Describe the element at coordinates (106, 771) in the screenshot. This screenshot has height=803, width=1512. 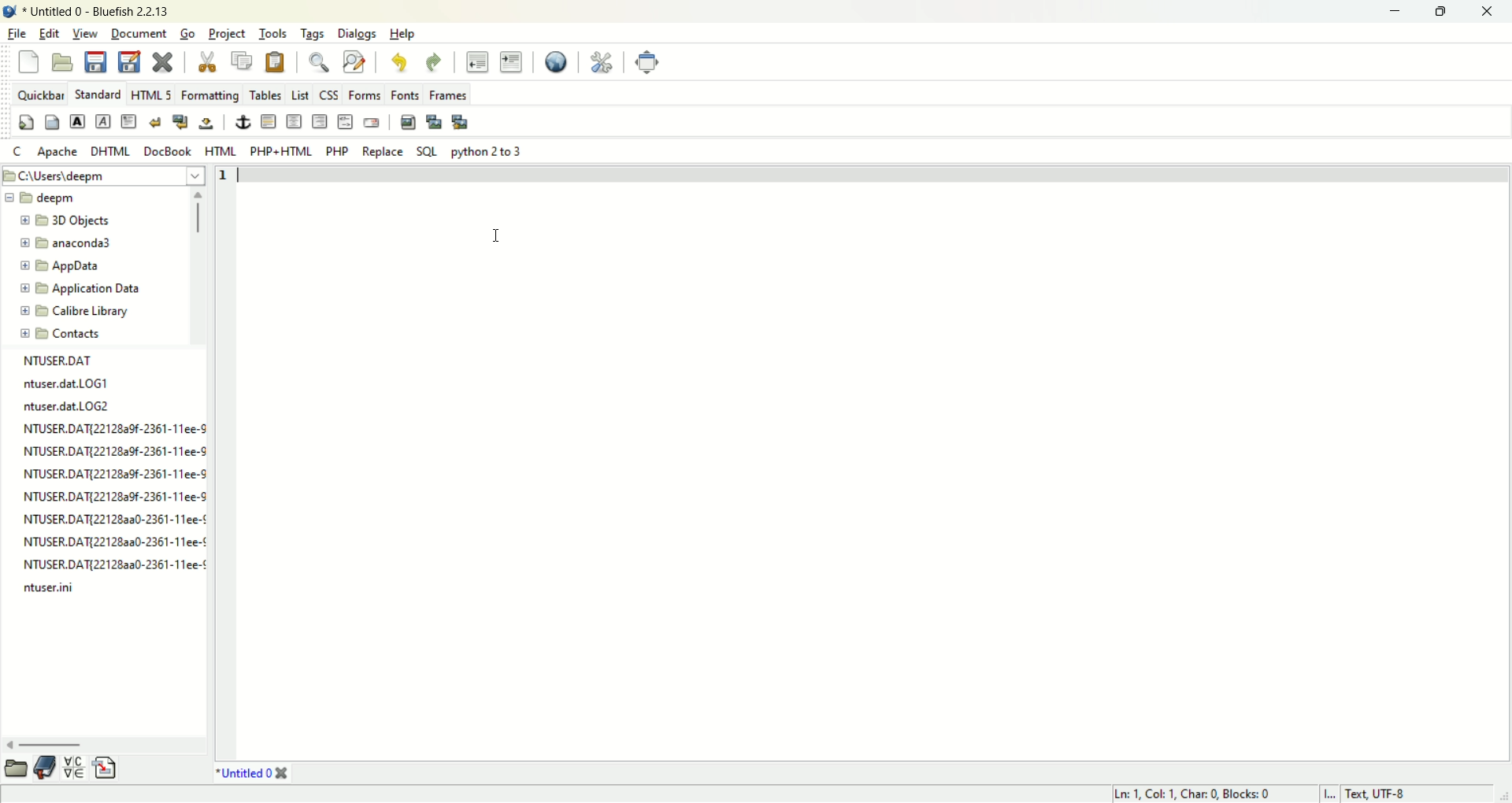
I see `snippet` at that location.